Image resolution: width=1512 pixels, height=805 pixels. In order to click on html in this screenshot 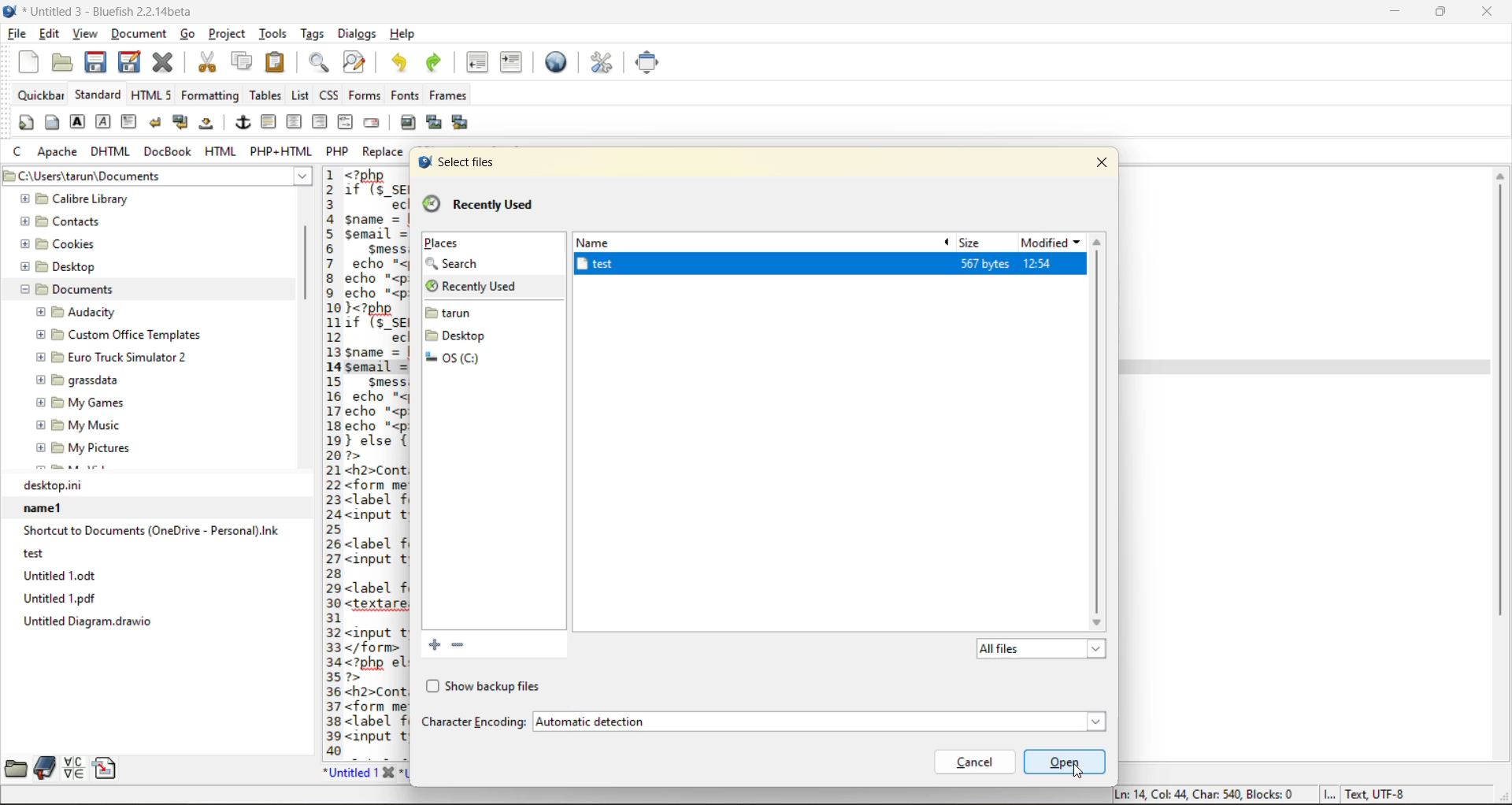, I will do `click(221, 153)`.